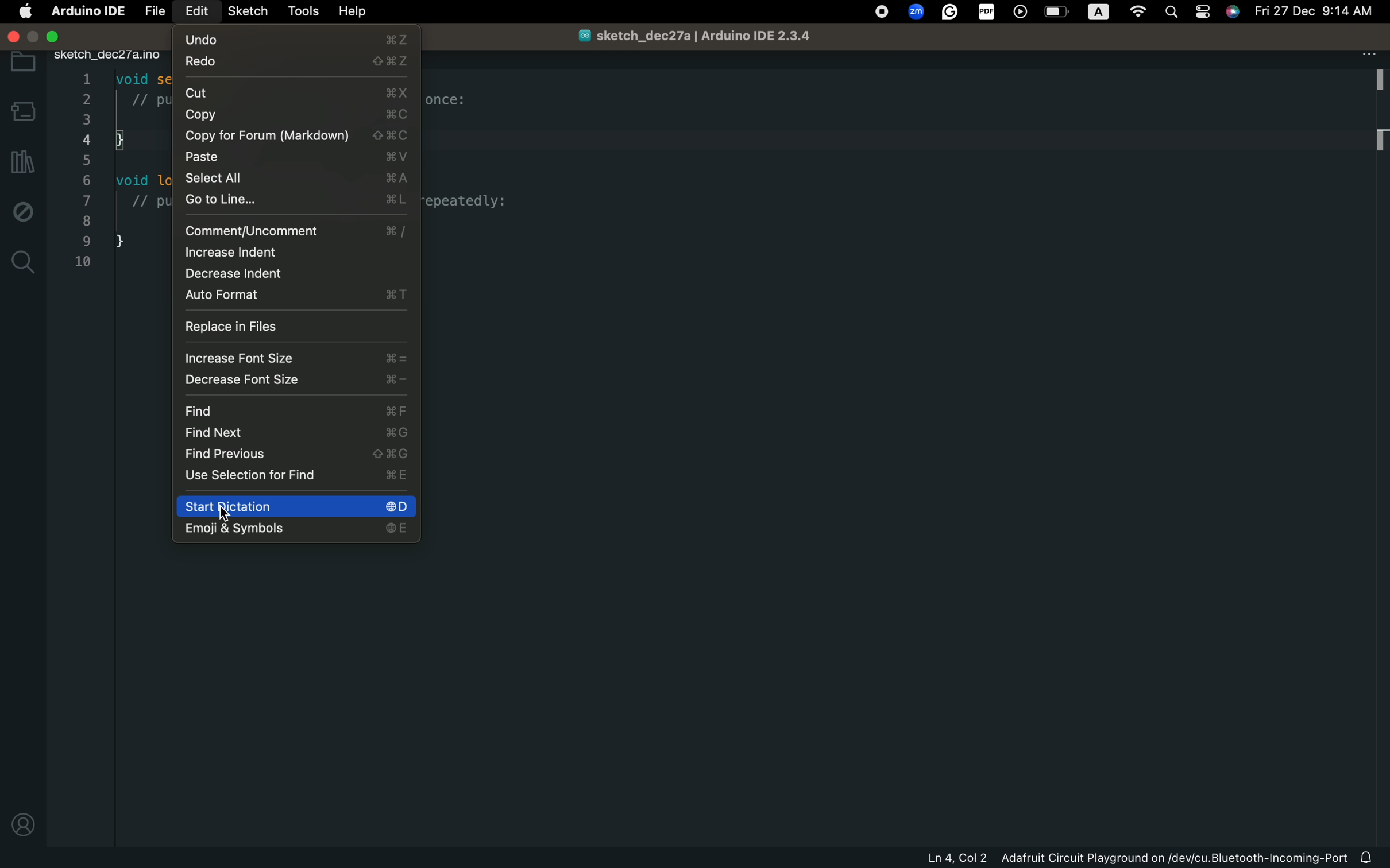 The image size is (1390, 868). I want to click on cut, so click(297, 92).